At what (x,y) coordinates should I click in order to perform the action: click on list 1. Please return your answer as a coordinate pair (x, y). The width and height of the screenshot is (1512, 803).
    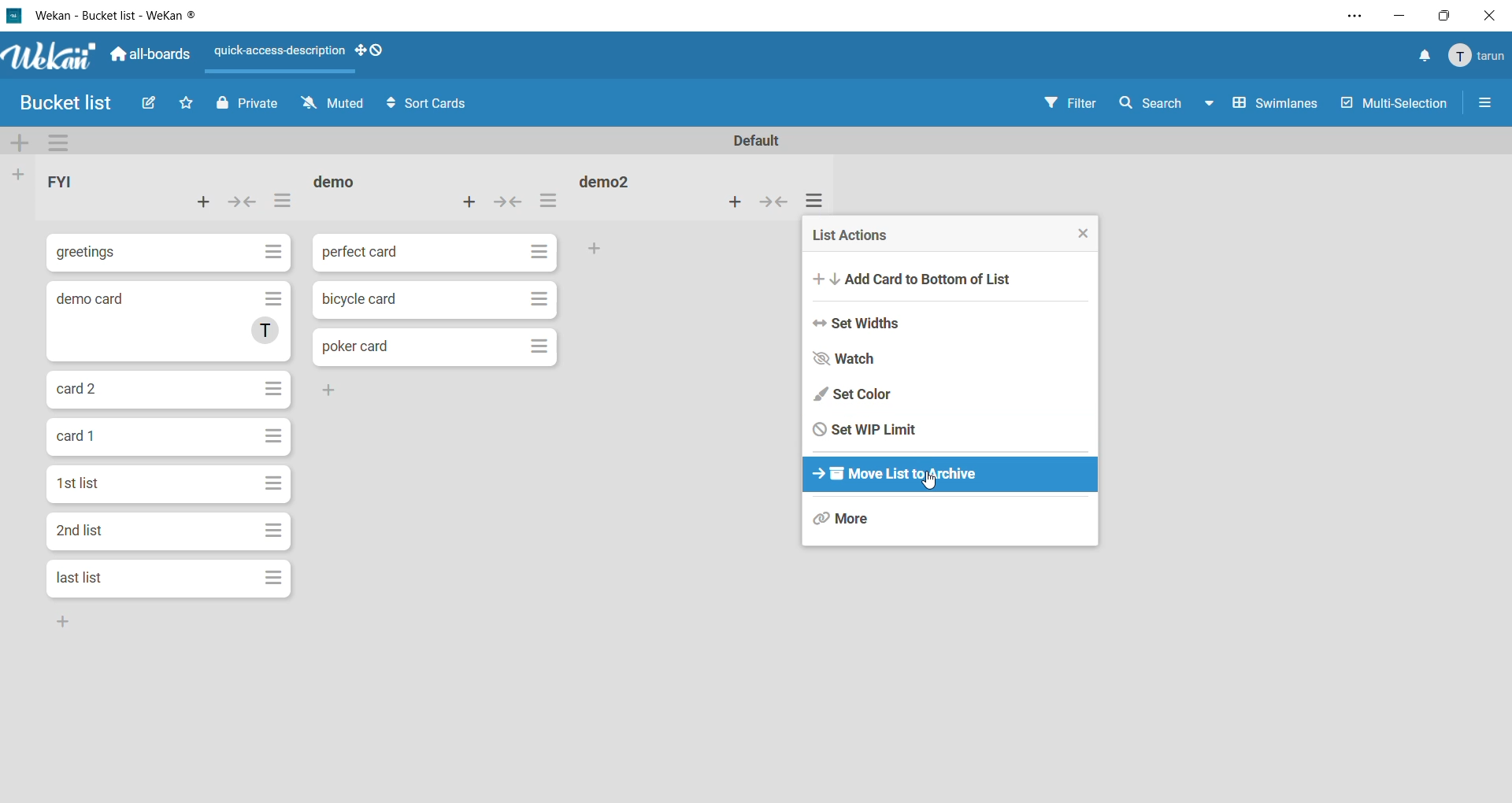
    Looking at the image, I should click on (94, 179).